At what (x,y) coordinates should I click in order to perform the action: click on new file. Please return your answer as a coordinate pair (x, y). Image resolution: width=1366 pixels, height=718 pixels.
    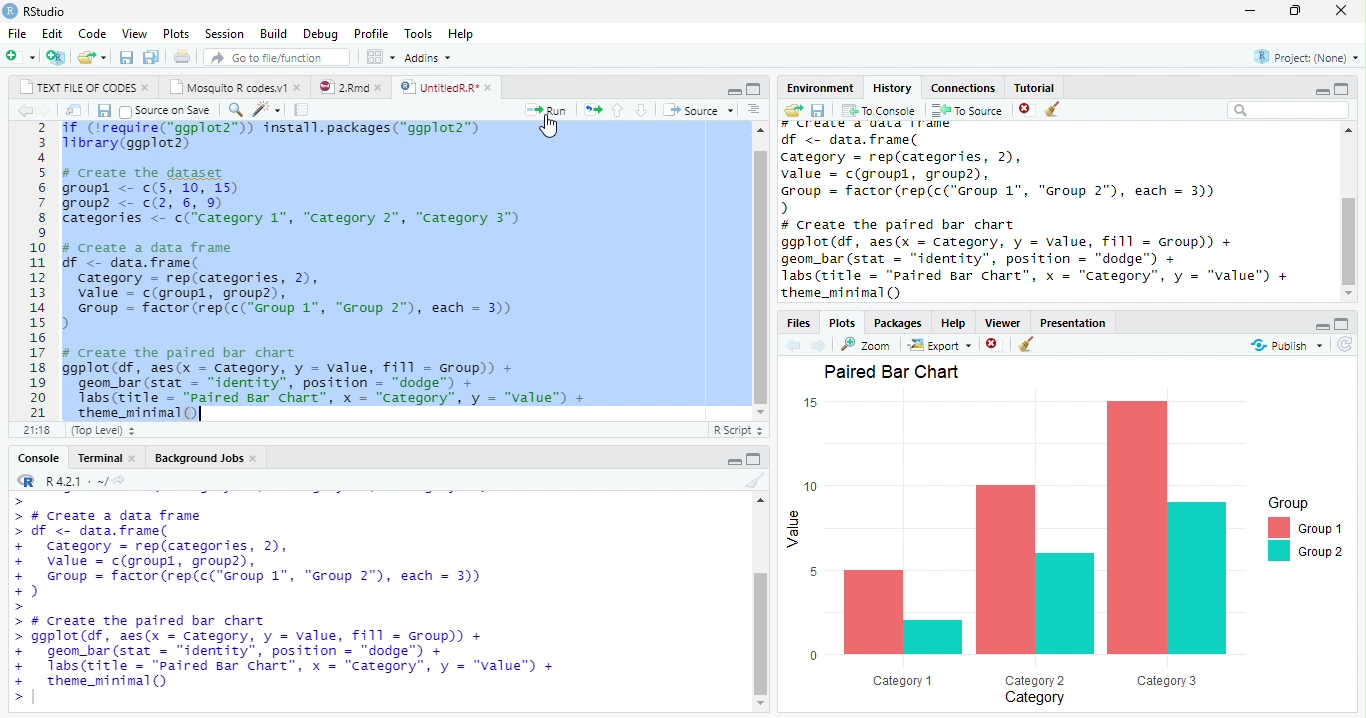
    Looking at the image, I should click on (19, 56).